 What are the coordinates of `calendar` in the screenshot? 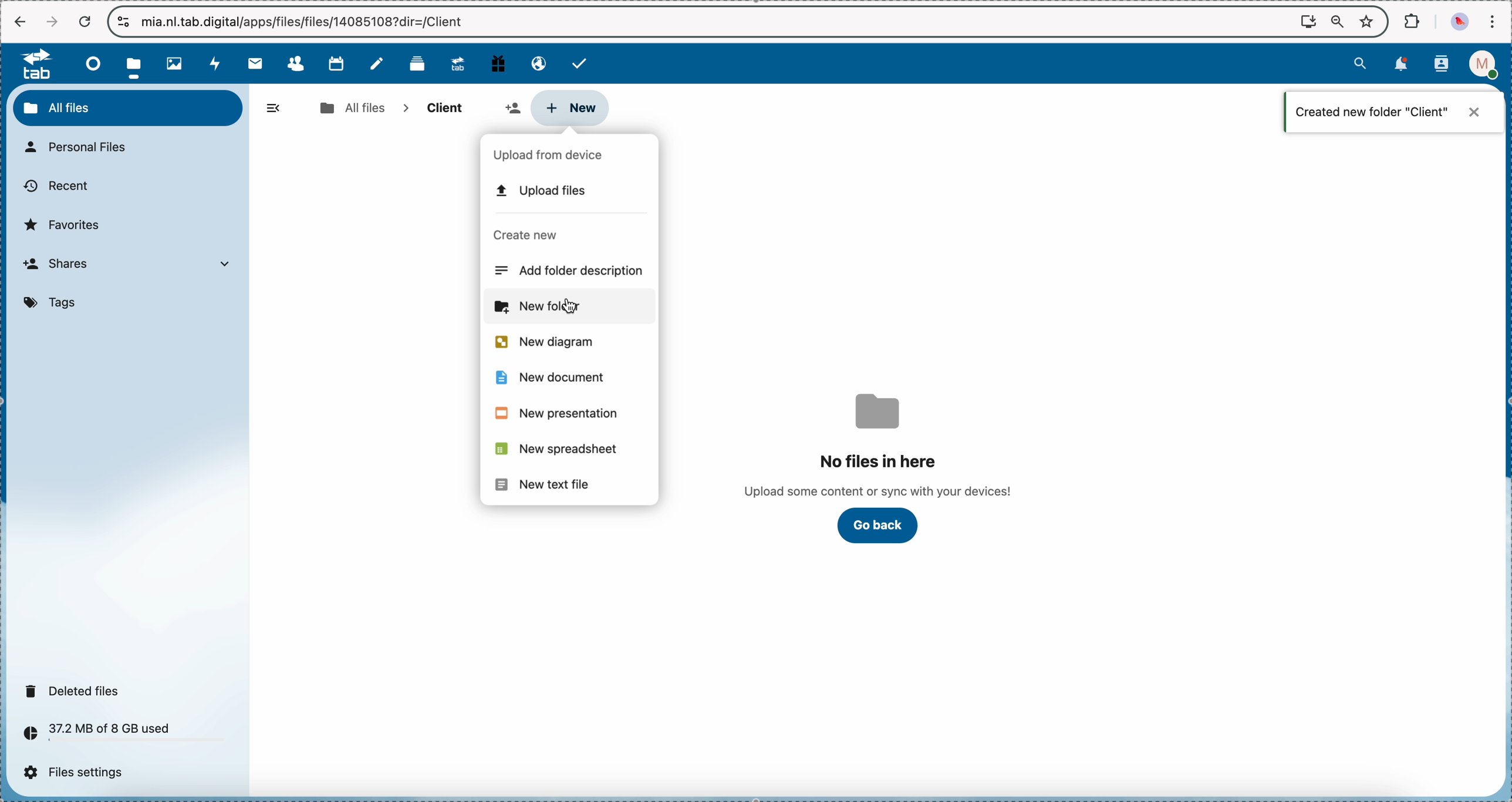 It's located at (336, 62).